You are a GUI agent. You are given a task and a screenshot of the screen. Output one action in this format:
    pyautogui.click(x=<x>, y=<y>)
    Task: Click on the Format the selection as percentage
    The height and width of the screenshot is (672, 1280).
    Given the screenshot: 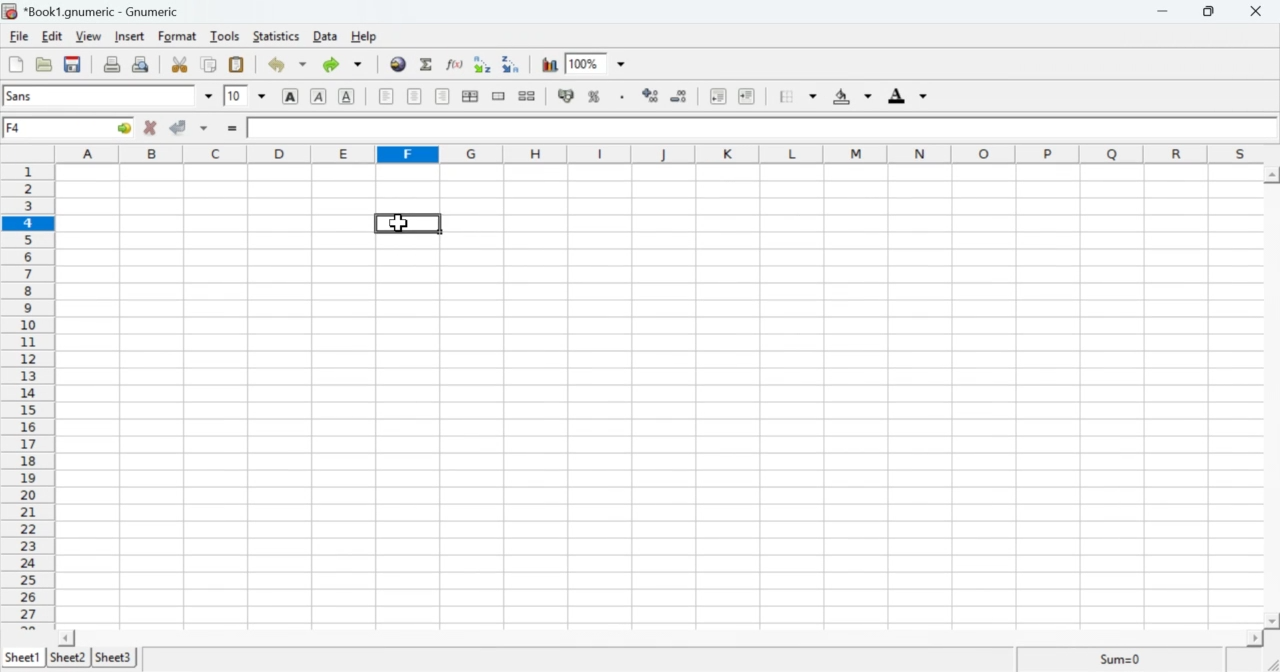 What is the action you would take?
    pyautogui.click(x=594, y=96)
    